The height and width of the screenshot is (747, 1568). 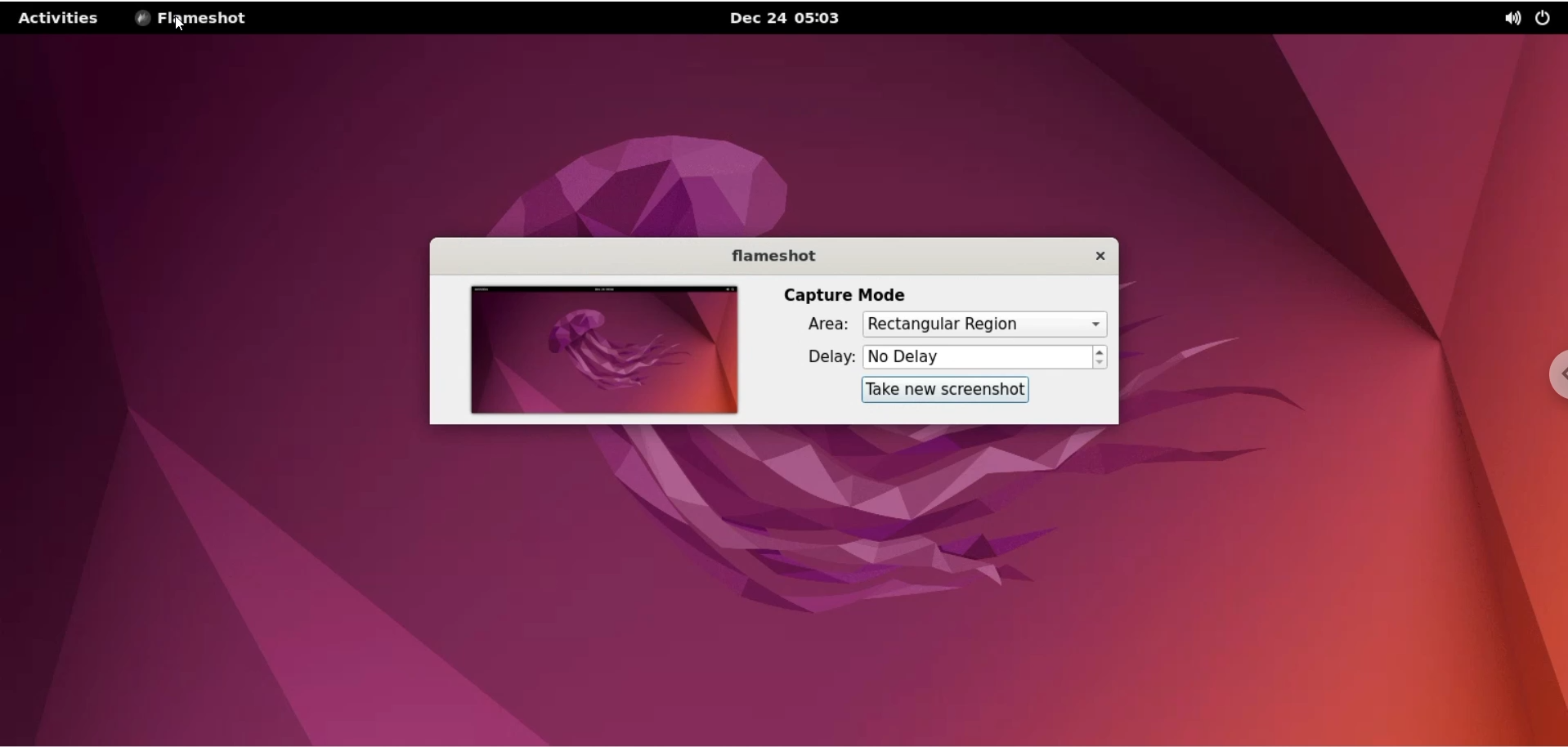 What do you see at coordinates (181, 23) in the screenshot?
I see `cursor ` at bounding box center [181, 23].